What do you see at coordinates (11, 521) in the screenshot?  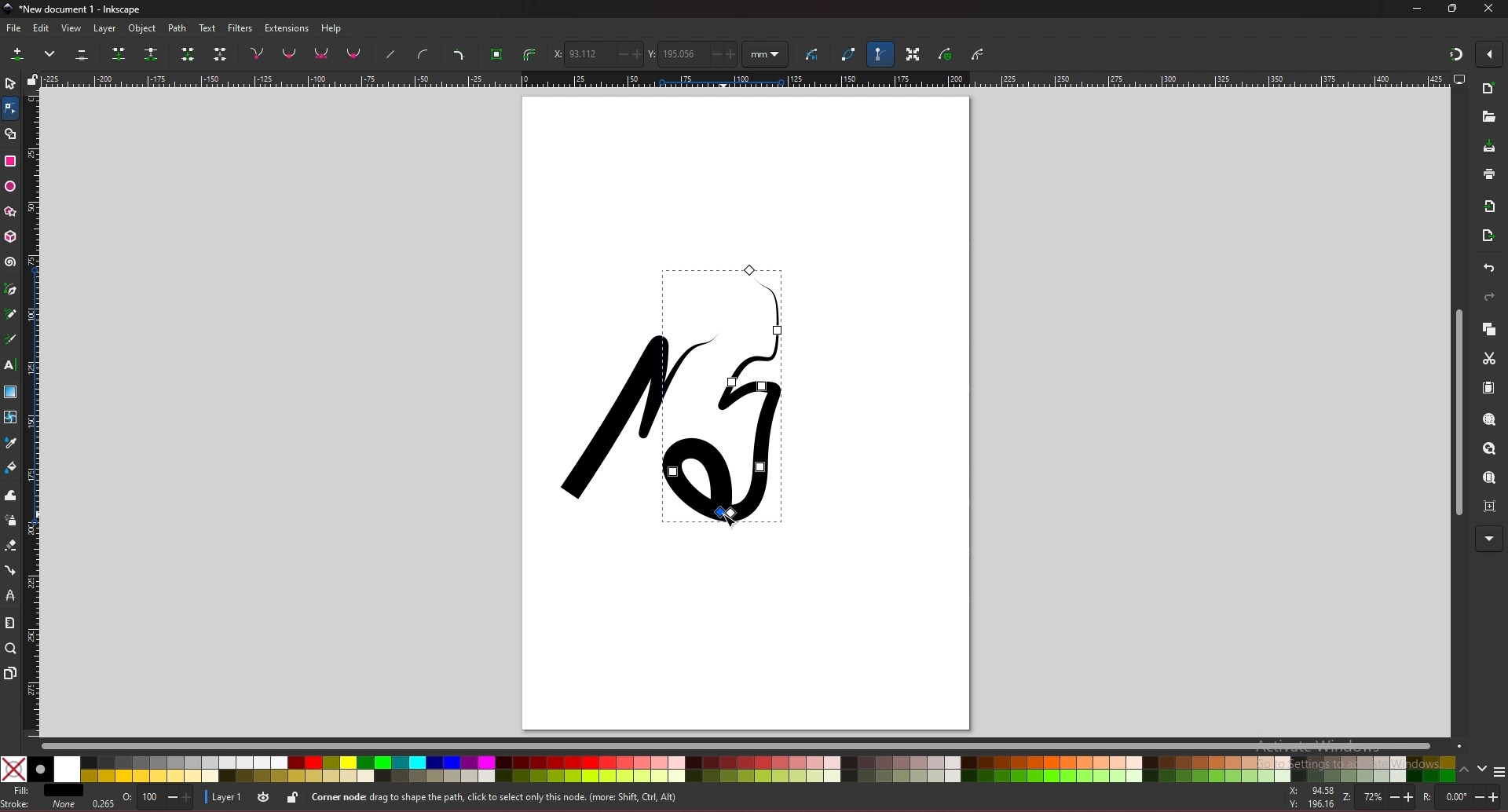 I see `spray` at bounding box center [11, 521].